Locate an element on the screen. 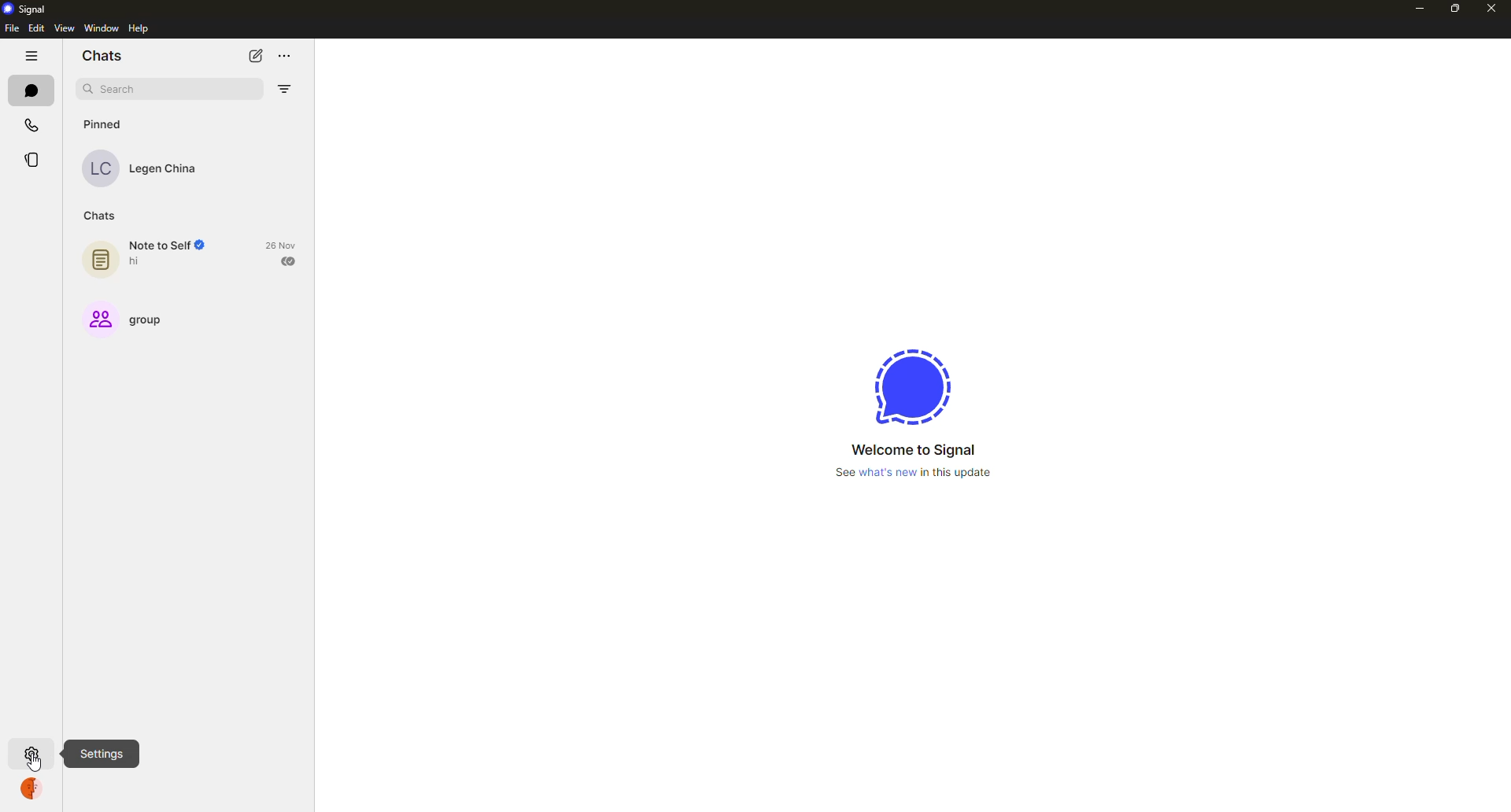  note to self is located at coordinates (152, 256).